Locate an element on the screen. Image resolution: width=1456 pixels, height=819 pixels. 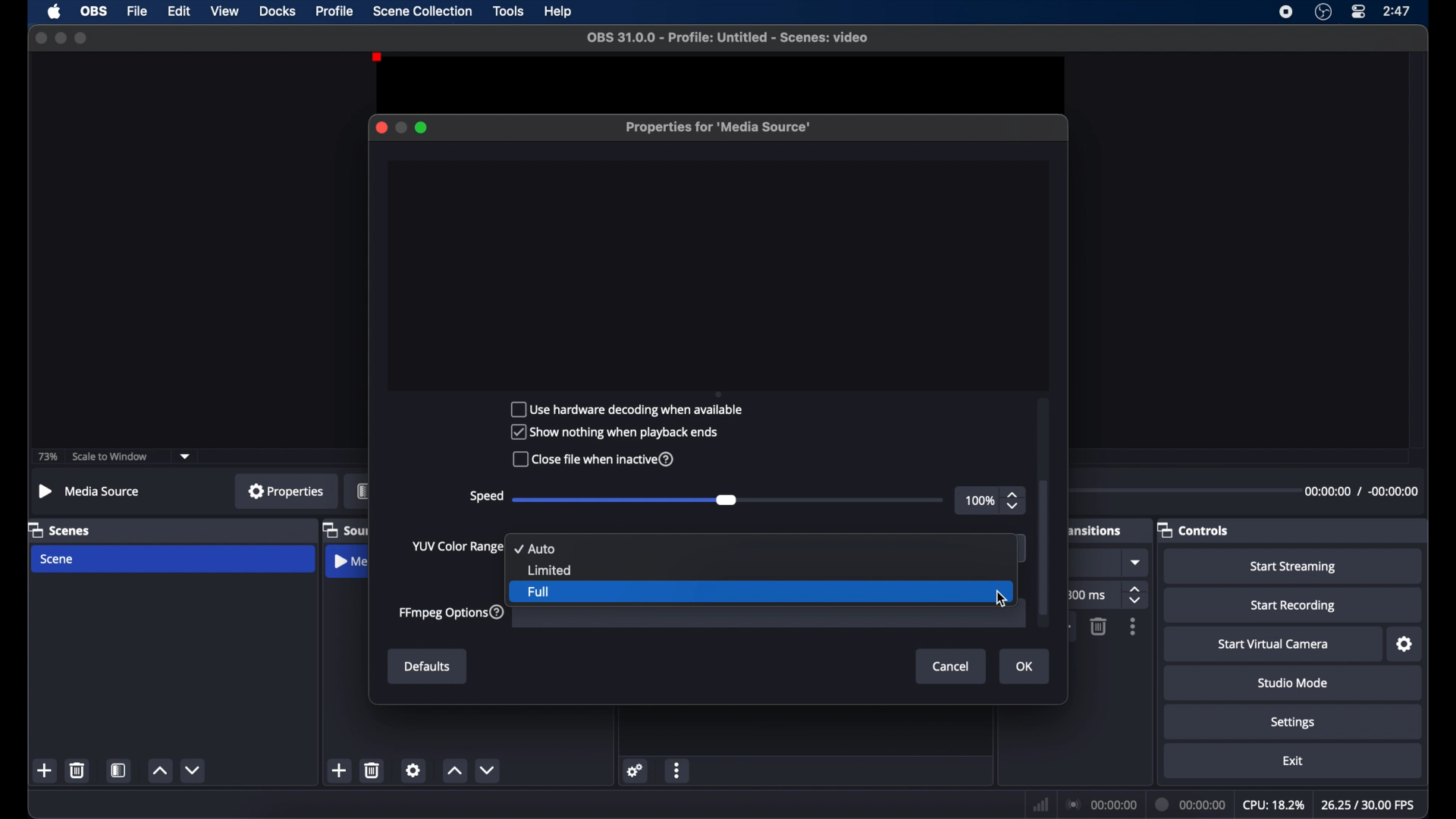
yup color change is located at coordinates (457, 546).